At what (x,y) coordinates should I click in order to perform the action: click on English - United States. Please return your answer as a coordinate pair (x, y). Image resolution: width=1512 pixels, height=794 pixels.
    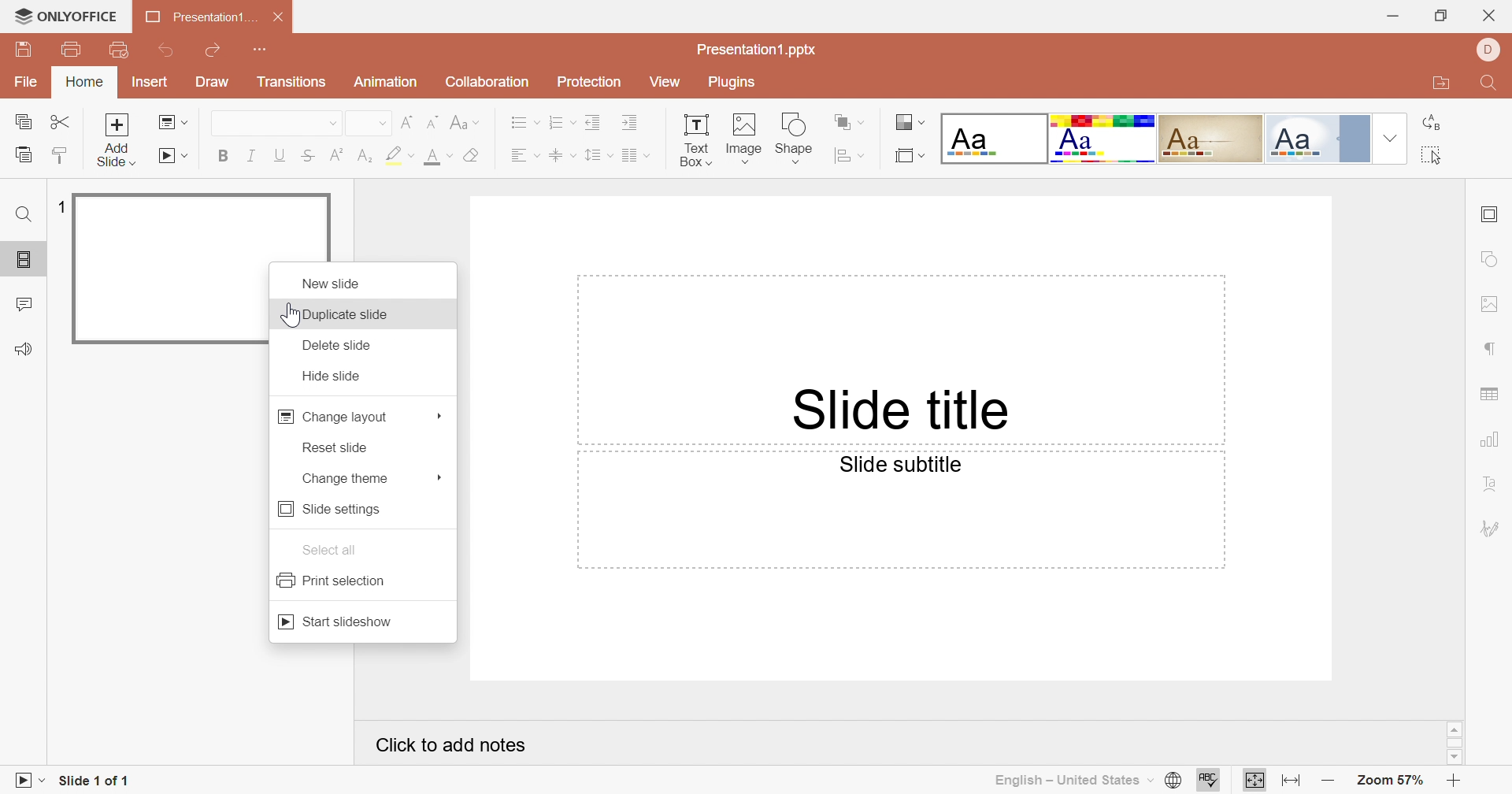
    Looking at the image, I should click on (1066, 779).